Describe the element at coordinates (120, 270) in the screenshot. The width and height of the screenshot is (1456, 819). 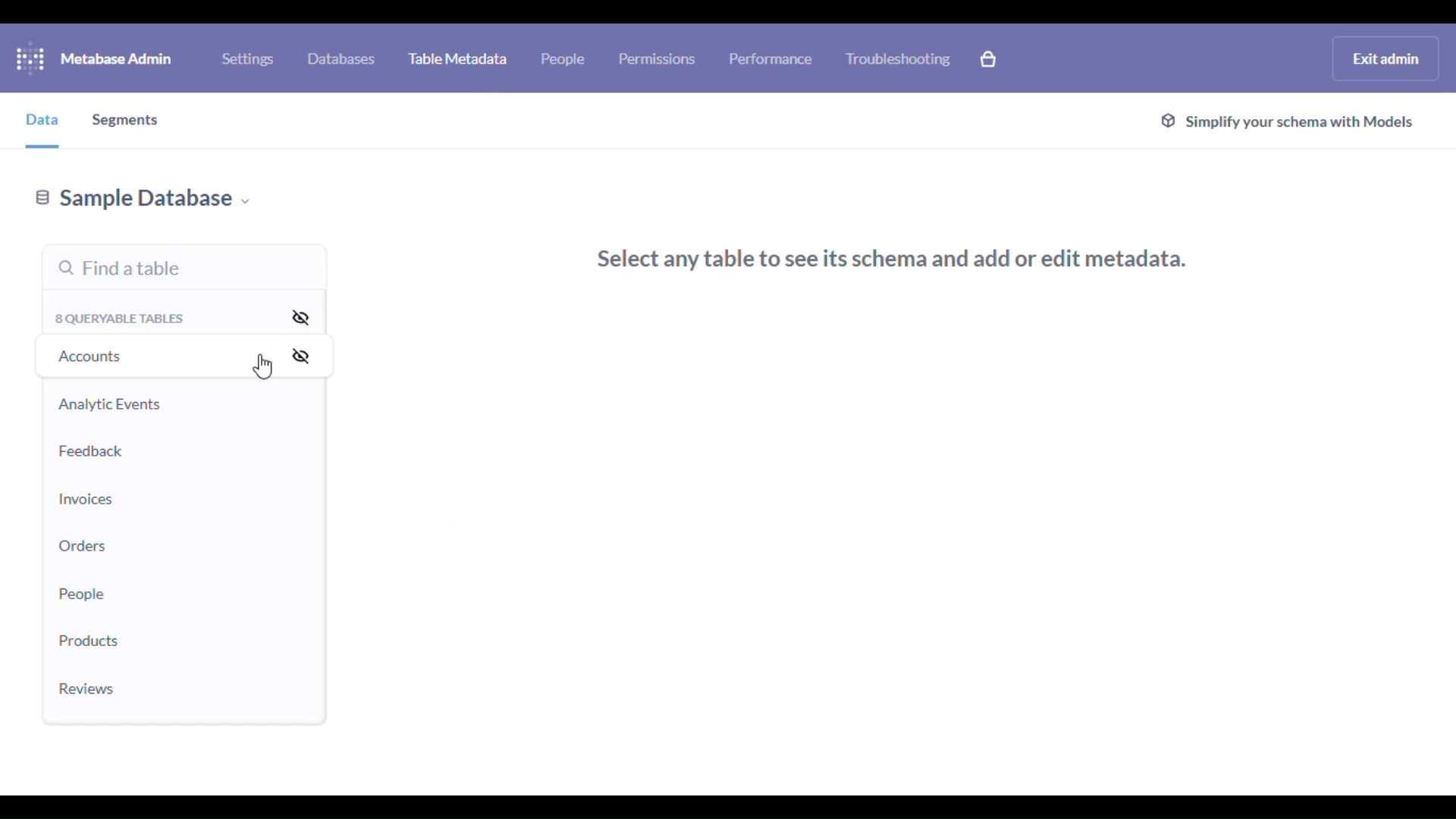
I see `find a table` at that location.